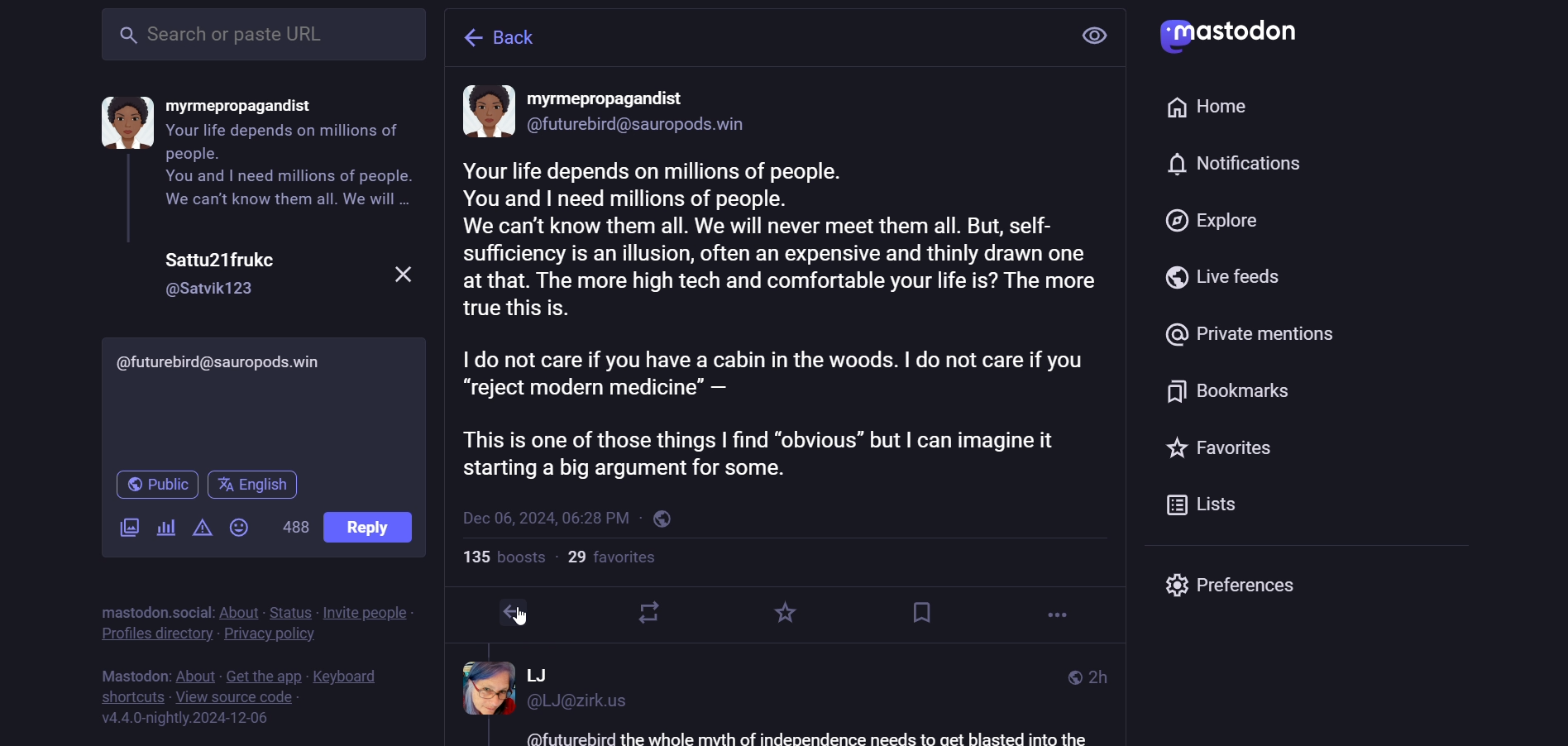 This screenshot has width=1568, height=746. I want to click on text, so click(804, 738).